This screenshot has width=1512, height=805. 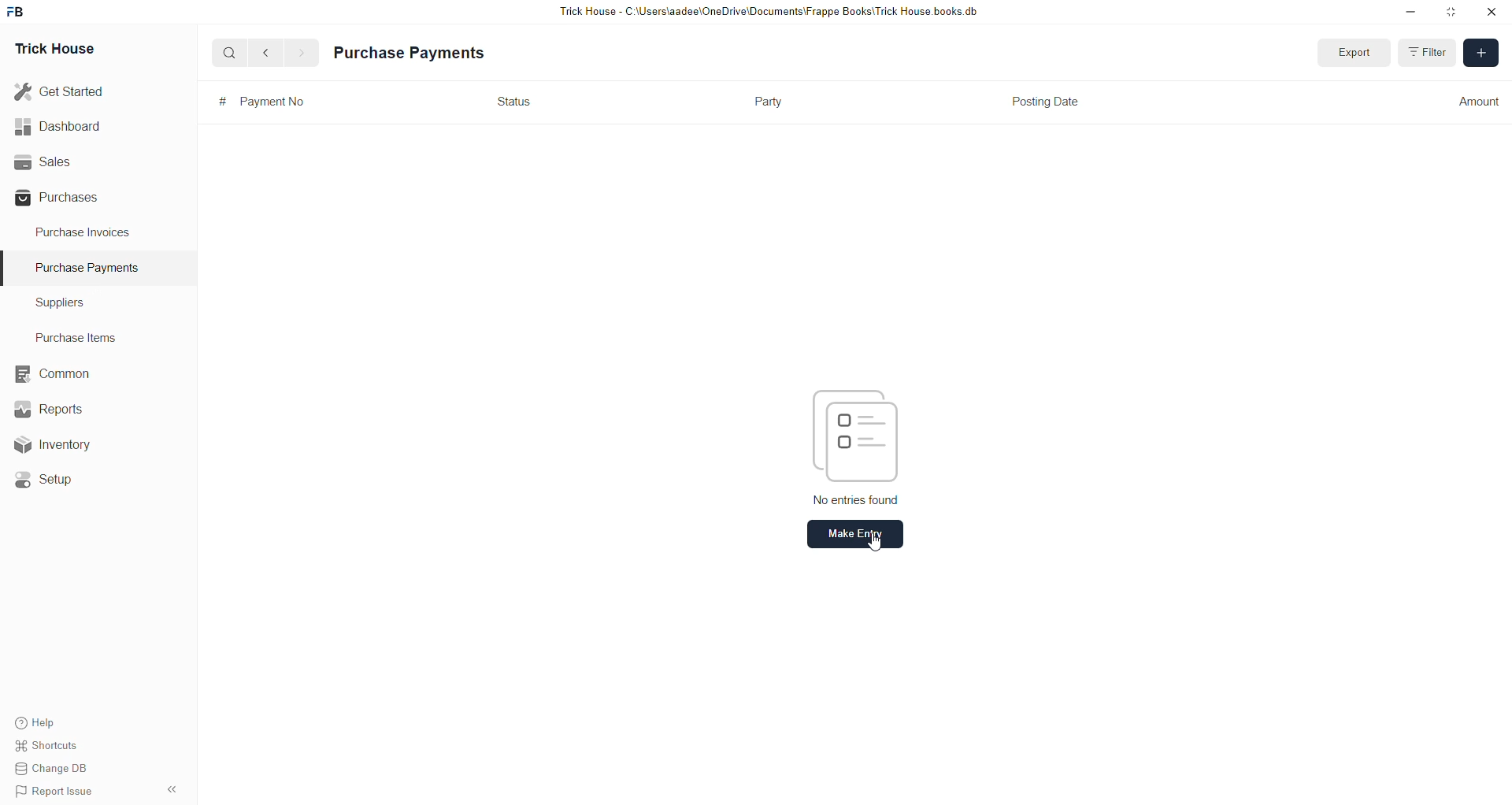 I want to click on No entries found, so click(x=854, y=500).